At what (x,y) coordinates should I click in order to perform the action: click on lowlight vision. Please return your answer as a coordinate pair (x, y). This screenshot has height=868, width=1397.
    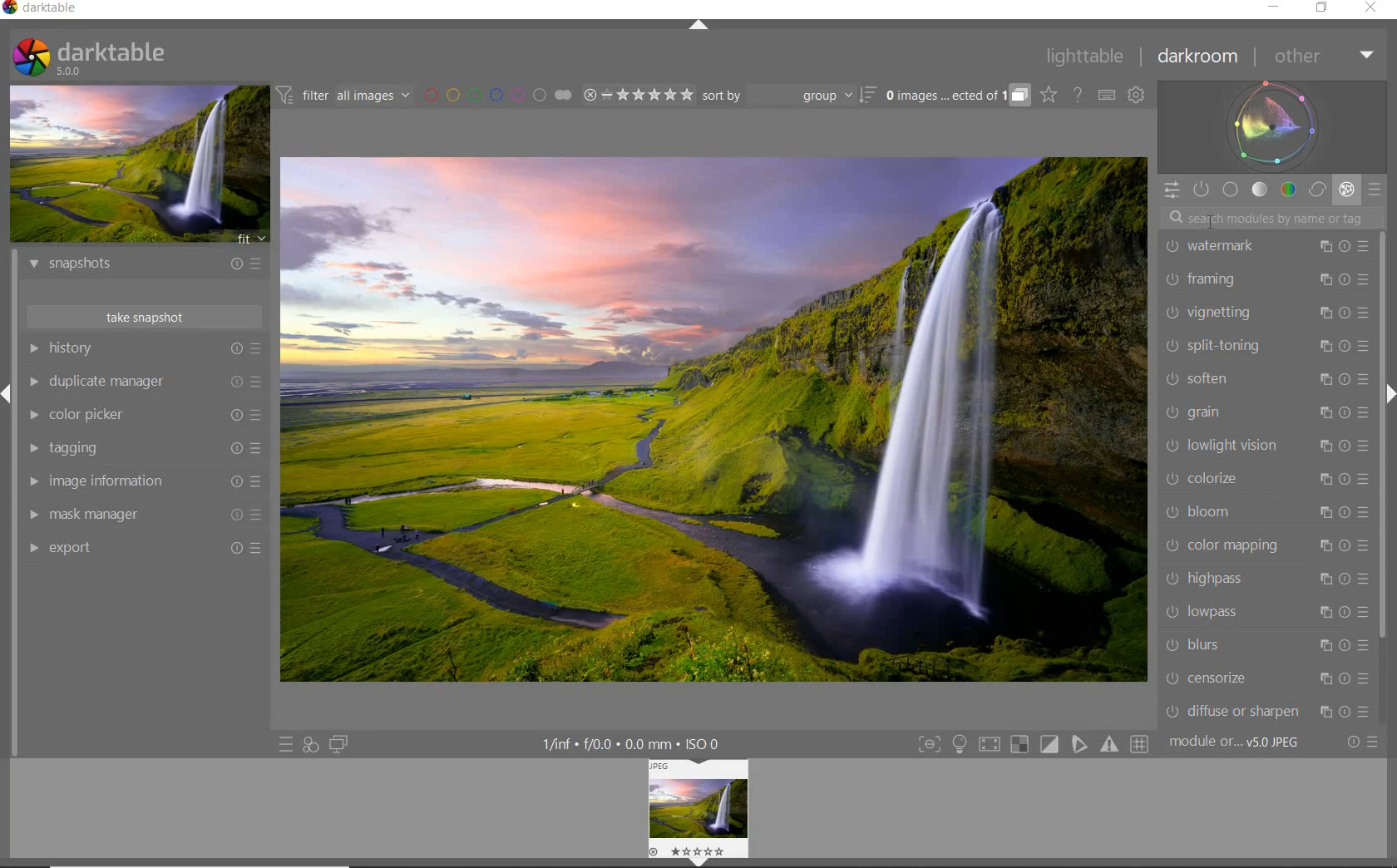
    Looking at the image, I should click on (1266, 446).